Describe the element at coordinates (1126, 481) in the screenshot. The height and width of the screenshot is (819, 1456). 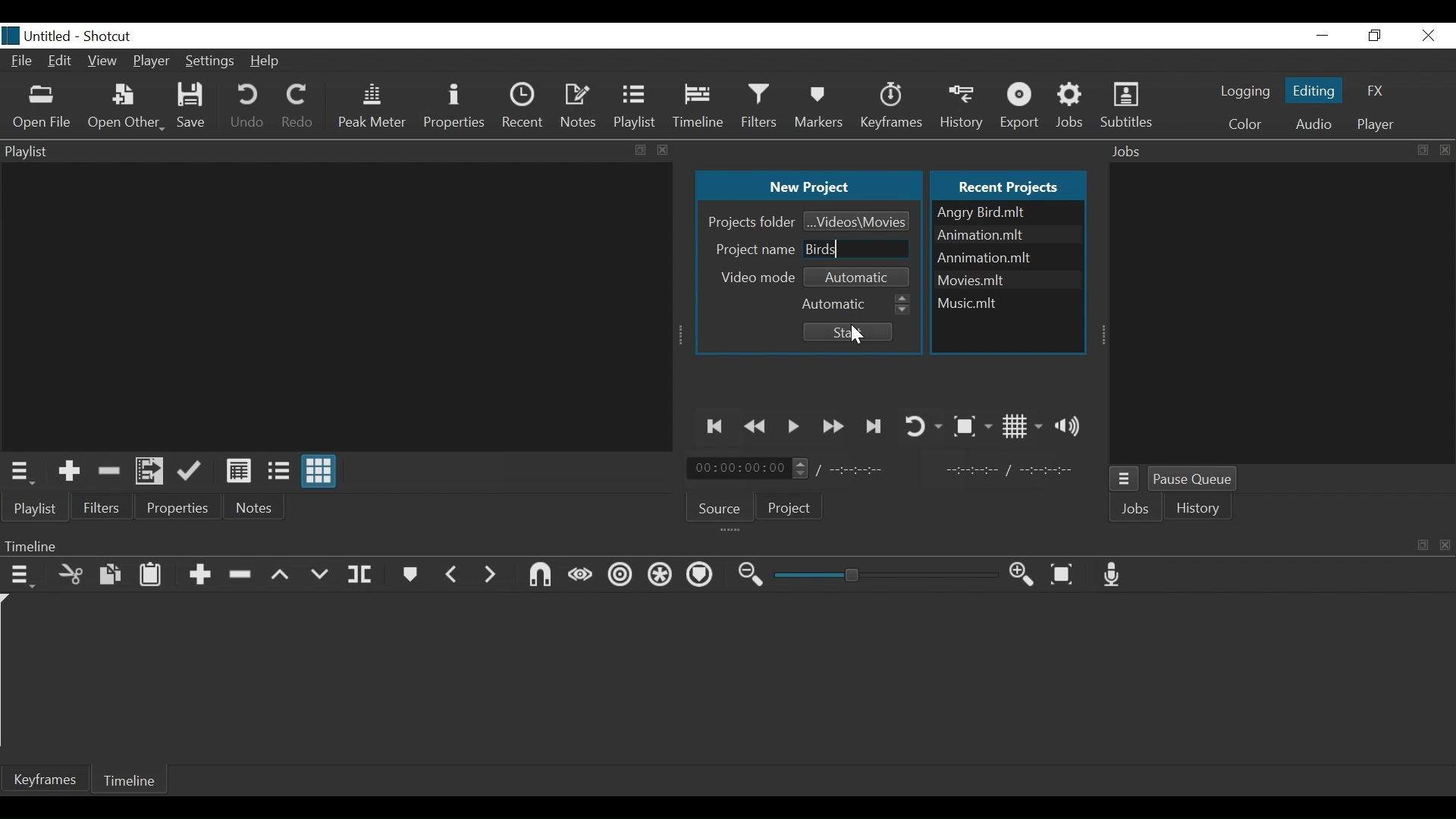
I see `Jobs Menu` at that location.